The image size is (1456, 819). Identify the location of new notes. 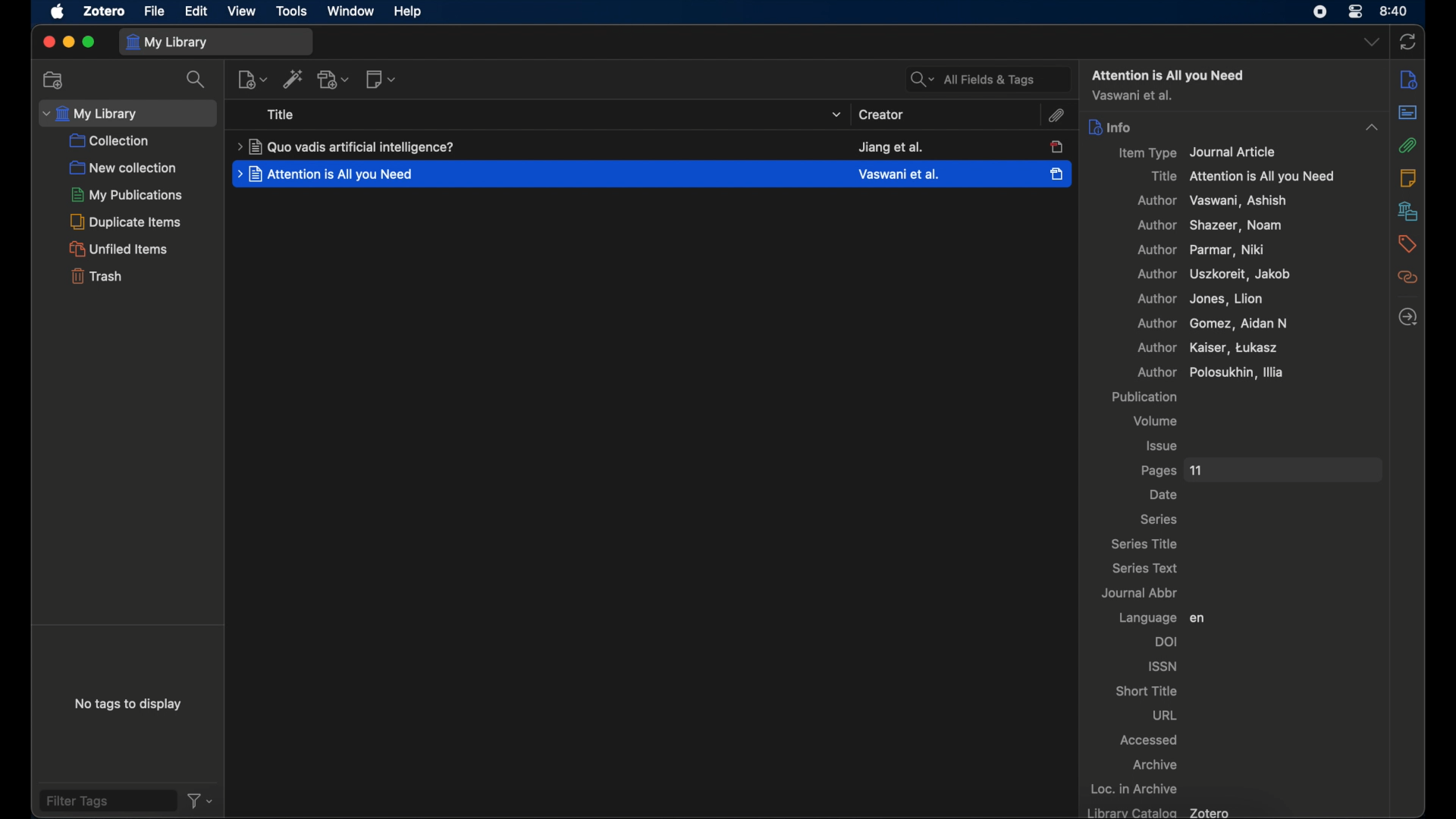
(381, 80).